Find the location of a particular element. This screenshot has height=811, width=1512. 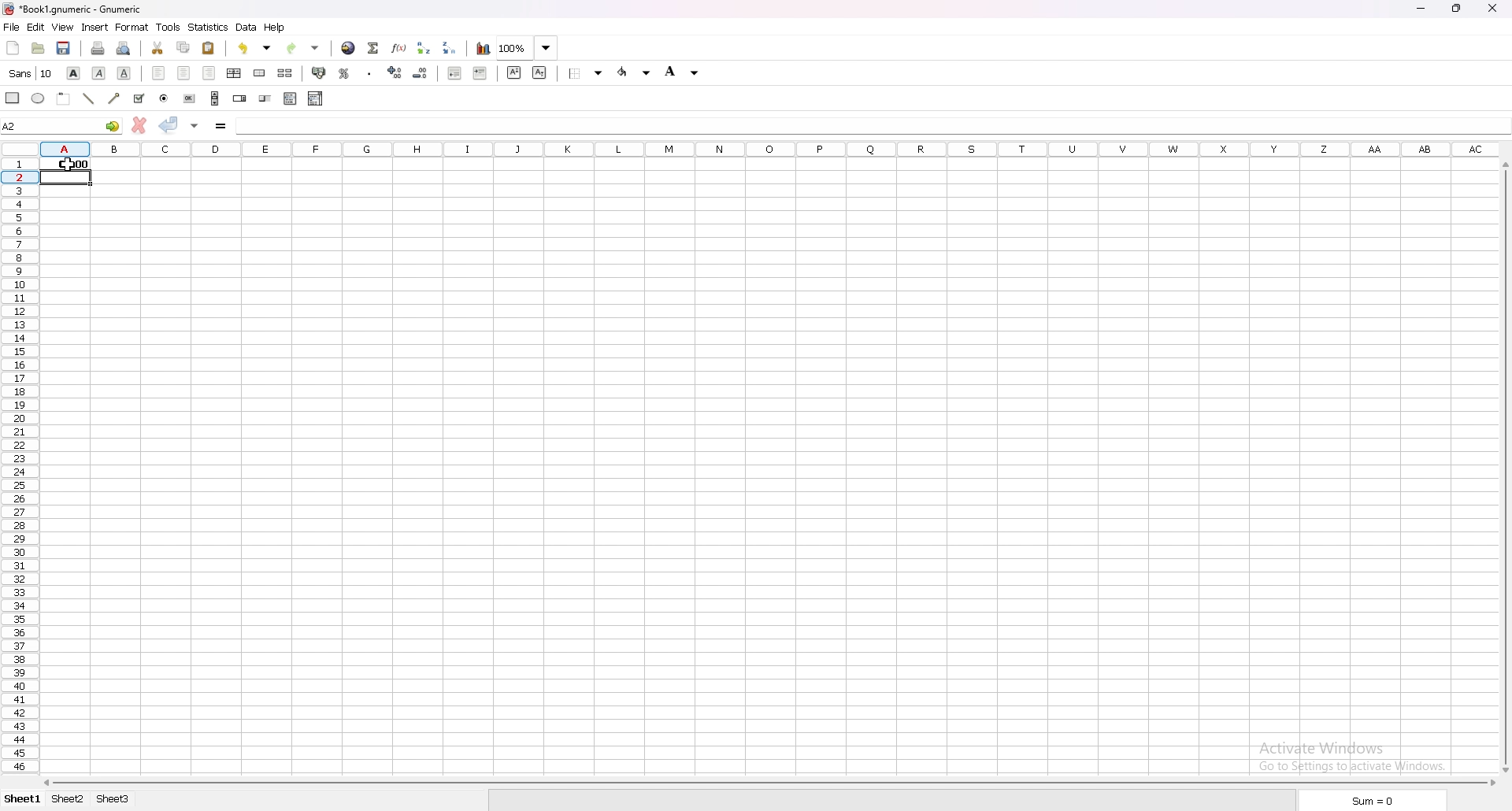

tools is located at coordinates (168, 26).